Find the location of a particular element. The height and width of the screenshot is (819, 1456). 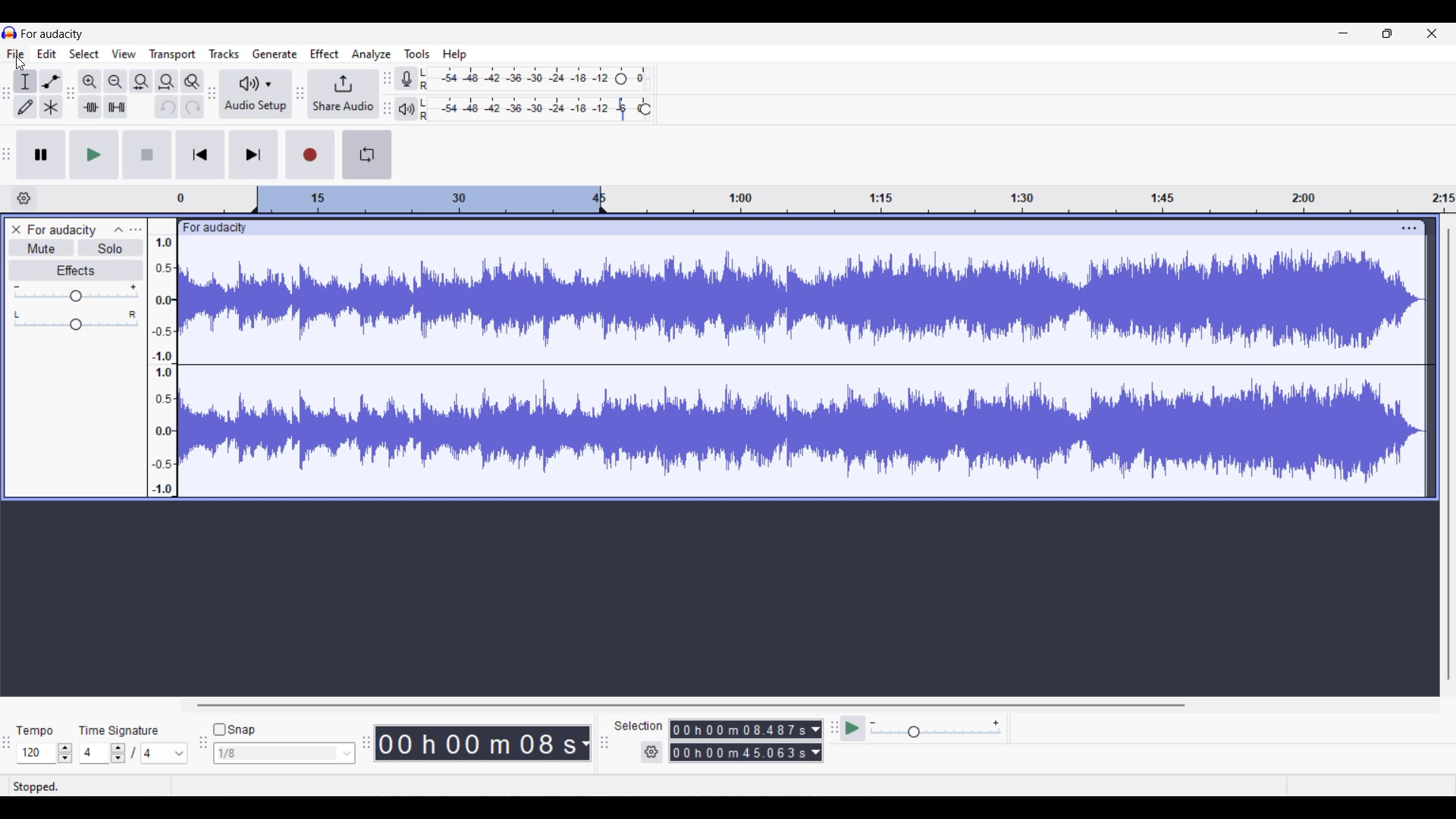

Effect menu is located at coordinates (324, 53).